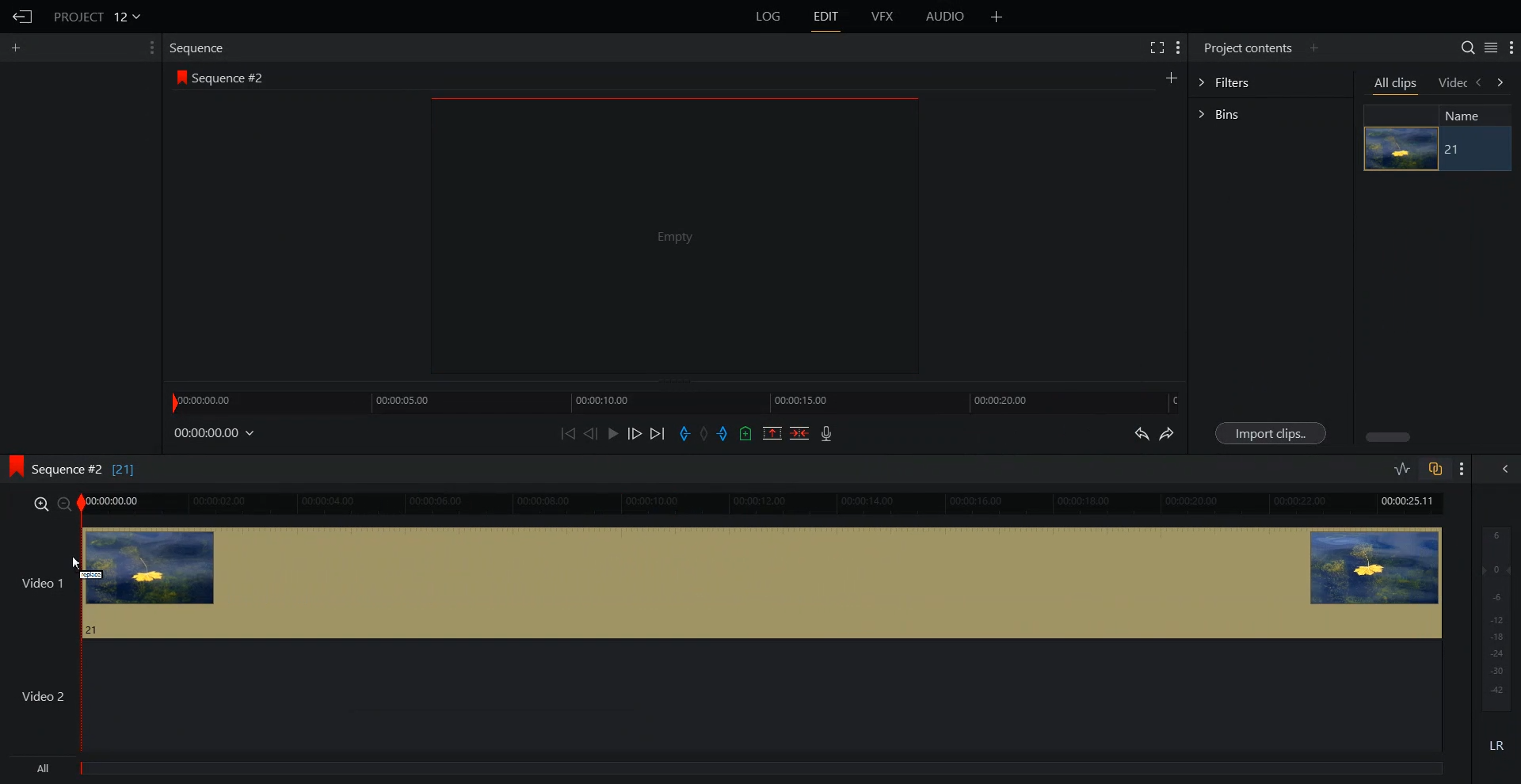 The image size is (1521, 784). Describe the element at coordinates (94, 471) in the screenshot. I see `Sequence 2 [21]` at that location.